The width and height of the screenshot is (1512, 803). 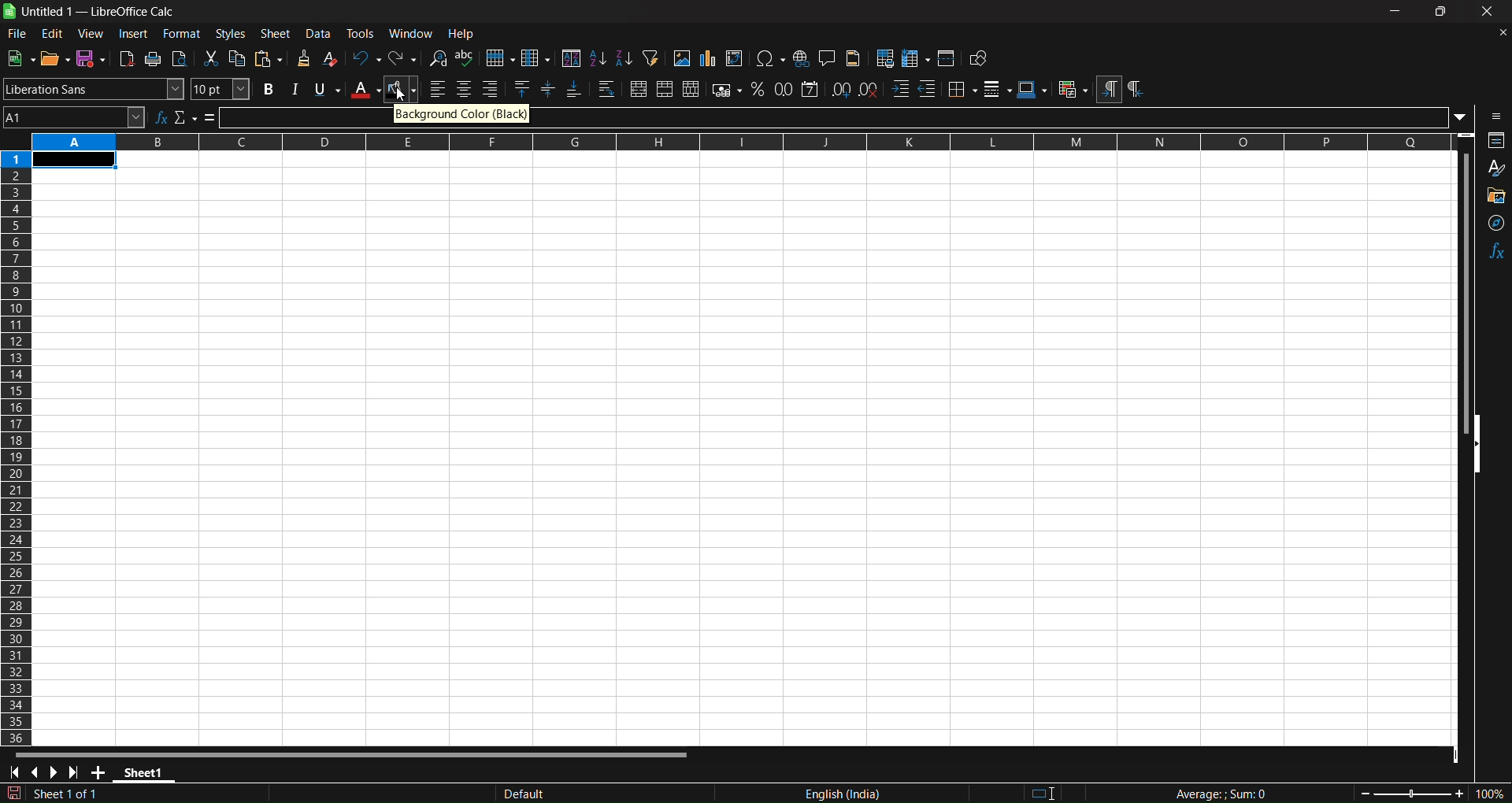 What do you see at coordinates (361, 33) in the screenshot?
I see `tools` at bounding box center [361, 33].